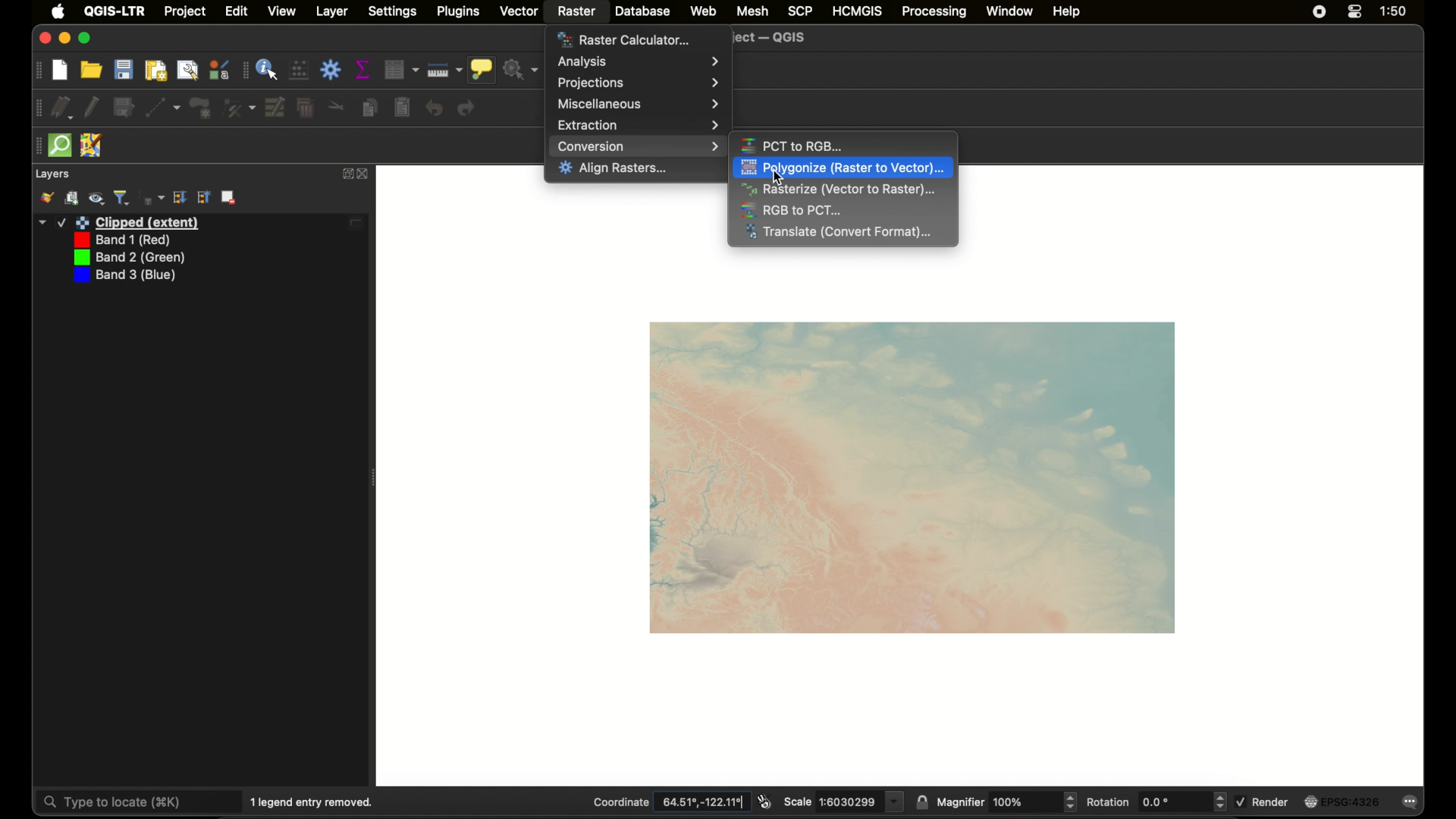  I want to click on expand all, so click(204, 197).